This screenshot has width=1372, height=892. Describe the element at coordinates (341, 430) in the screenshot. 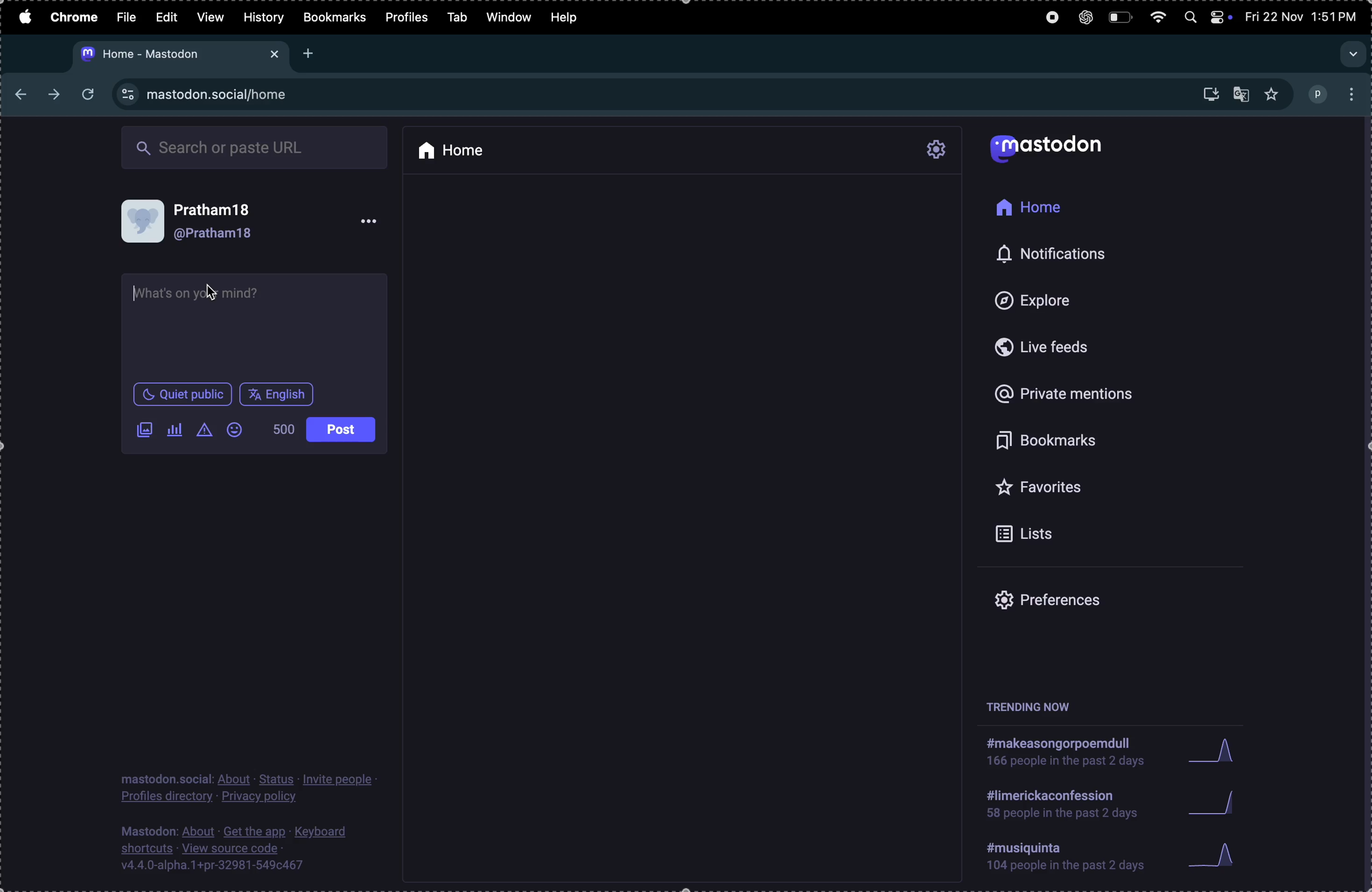

I see `post` at that location.